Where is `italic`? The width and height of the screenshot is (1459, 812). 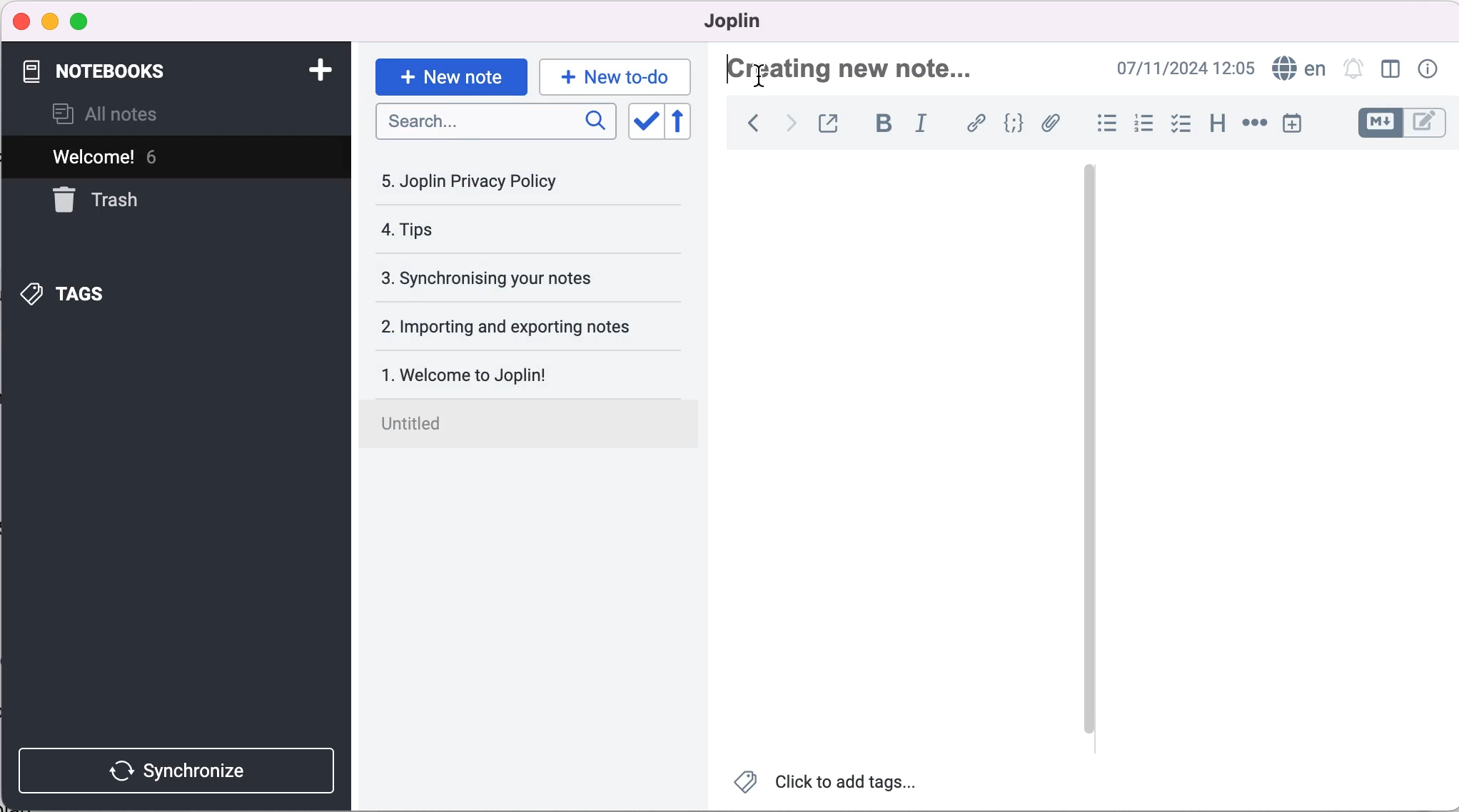
italic is located at coordinates (923, 123).